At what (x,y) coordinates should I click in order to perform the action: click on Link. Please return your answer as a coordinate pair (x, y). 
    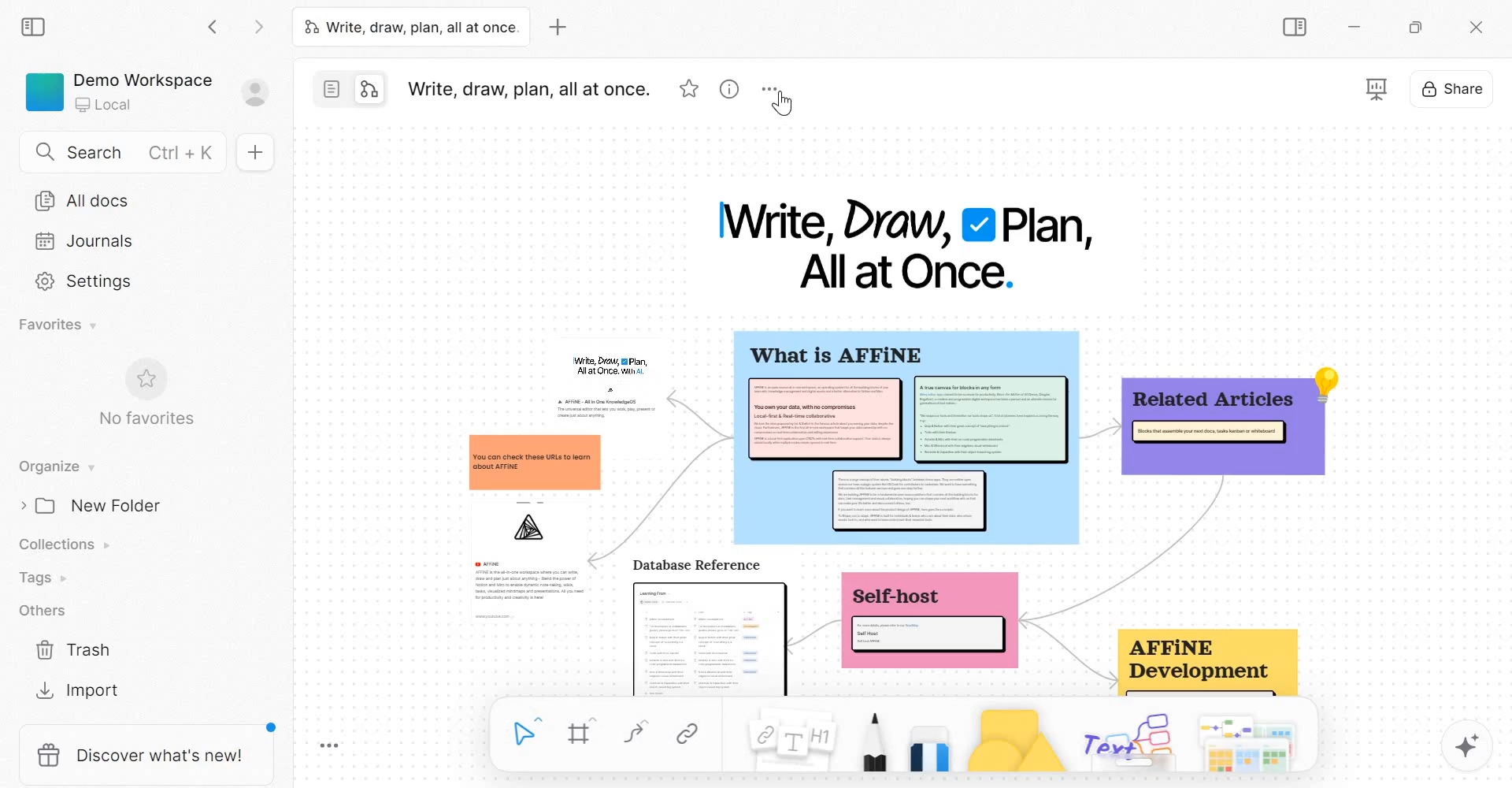
    Looking at the image, I should click on (687, 734).